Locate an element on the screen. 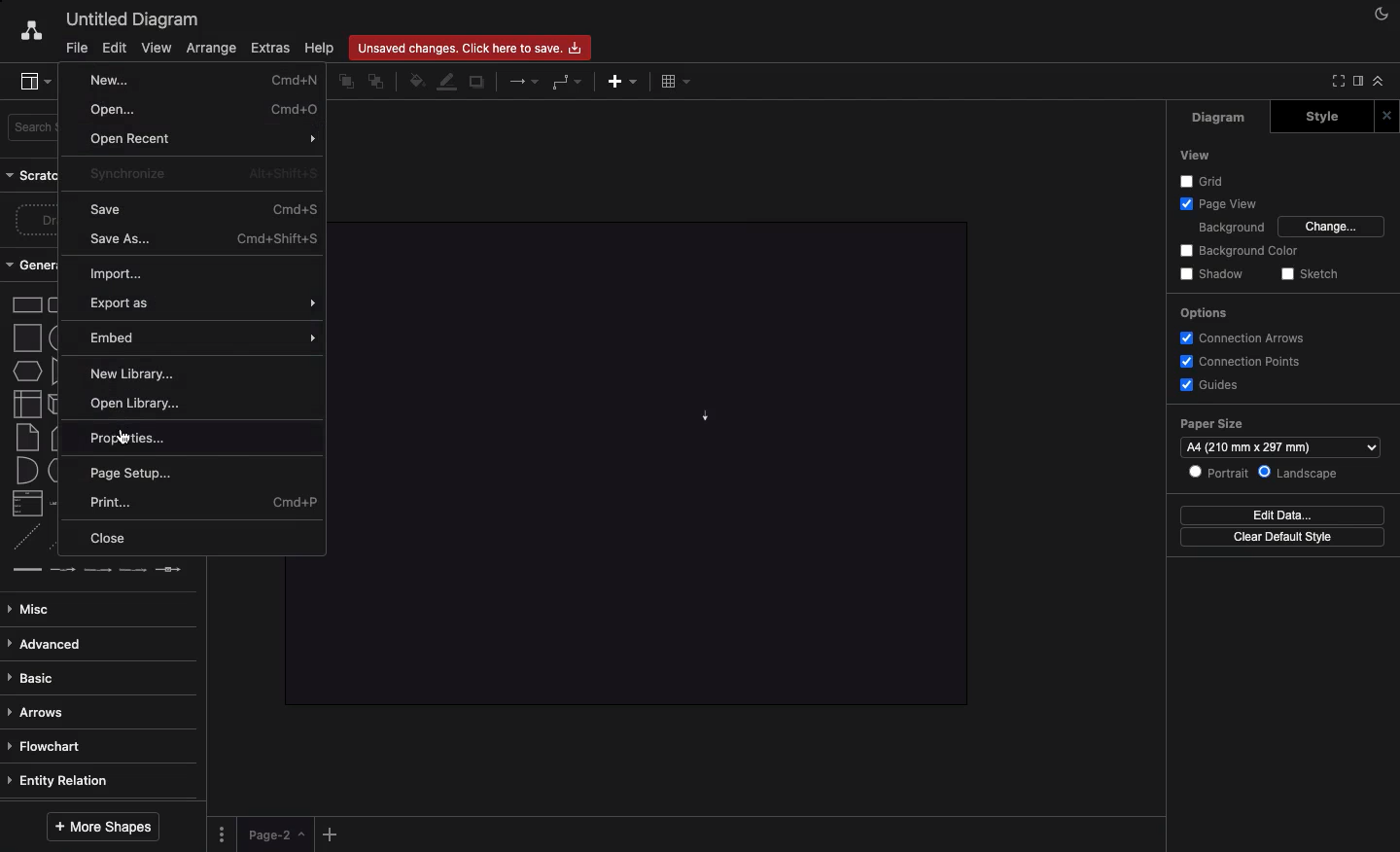 The image size is (1400, 852). Save is located at coordinates (204, 209).